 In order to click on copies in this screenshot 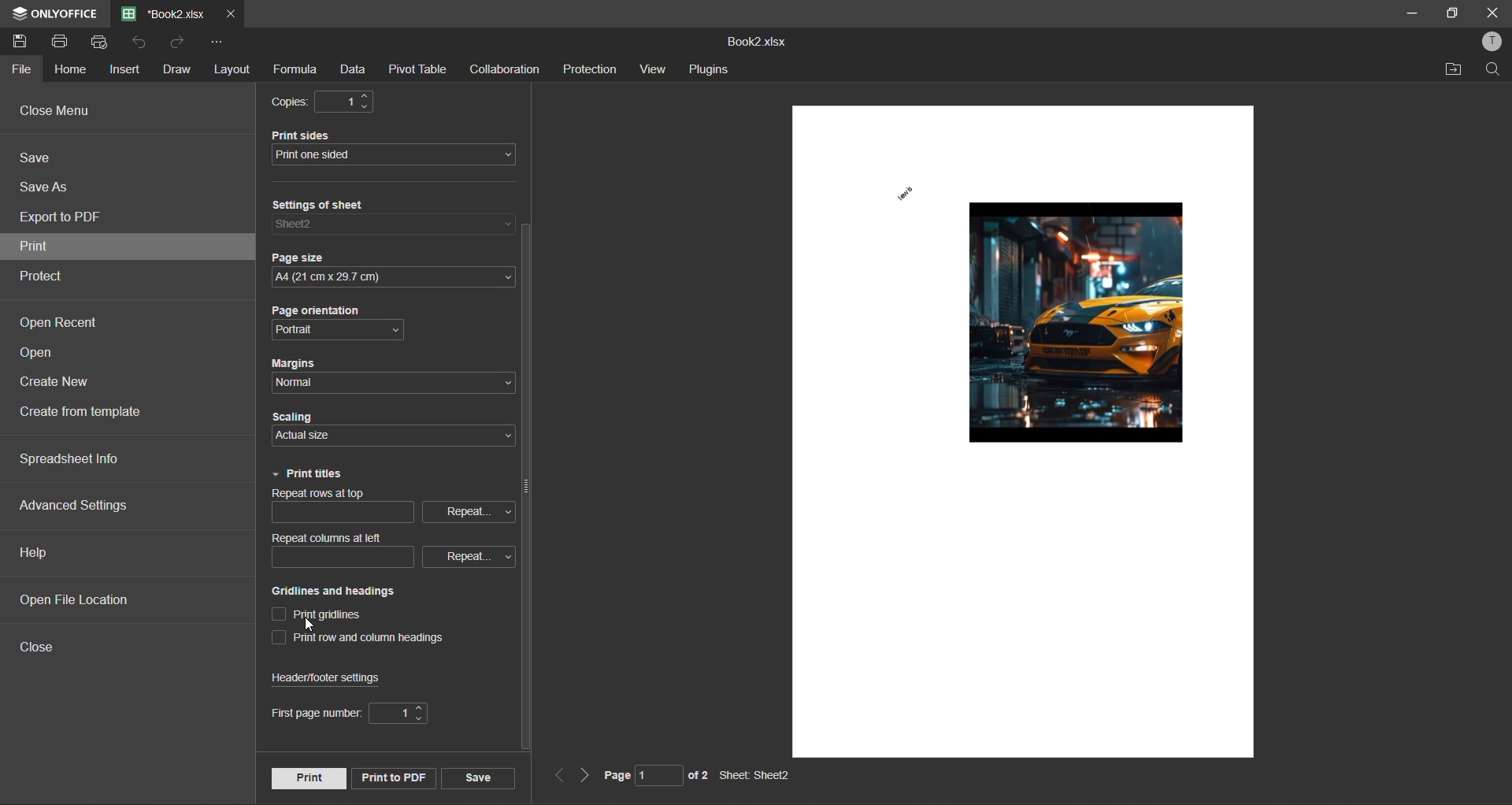, I will do `click(287, 99)`.